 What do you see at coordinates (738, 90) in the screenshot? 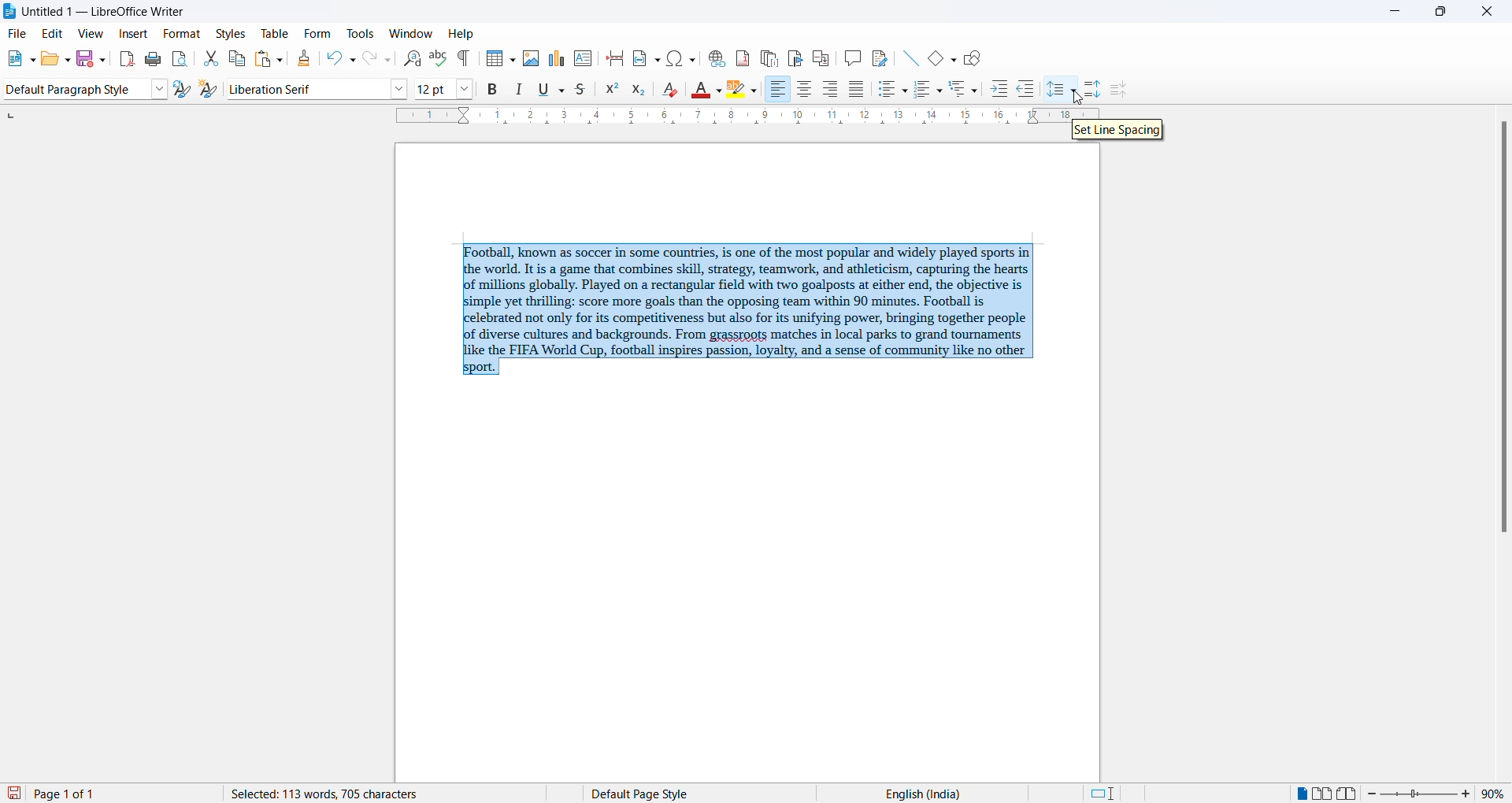
I see `character highlighting` at bounding box center [738, 90].